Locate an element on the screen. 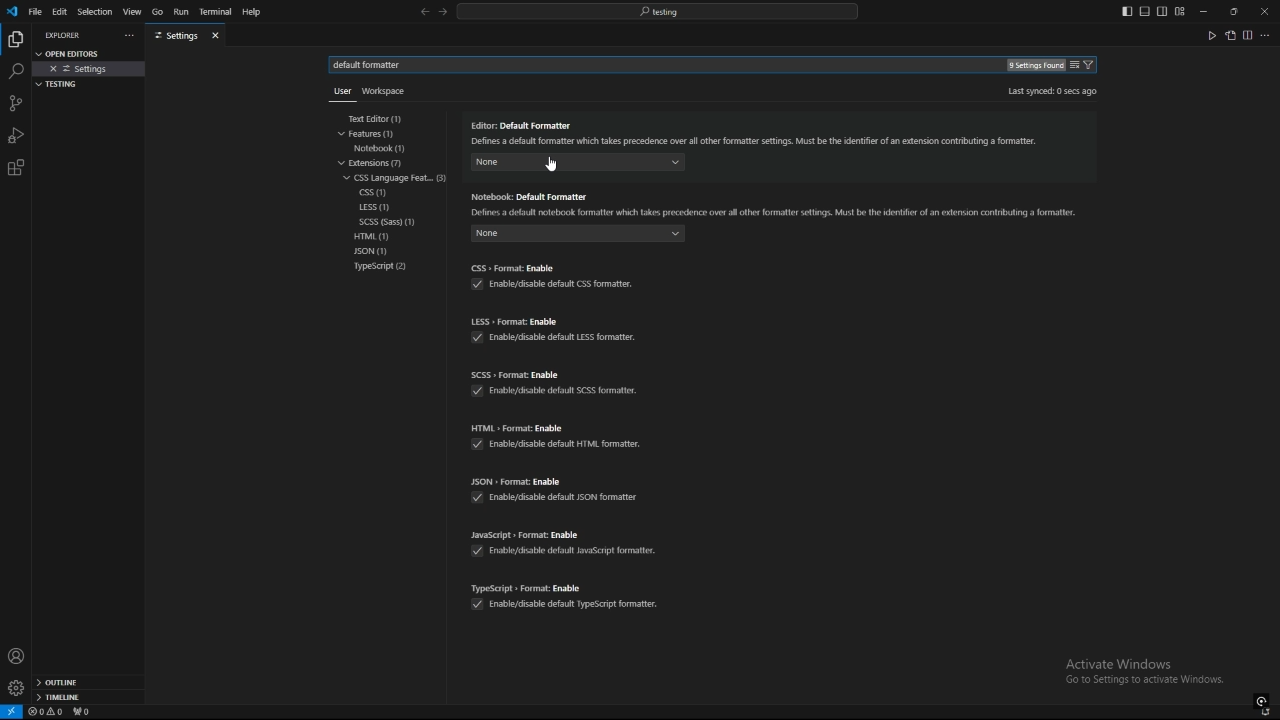 The height and width of the screenshot is (720, 1280). run is located at coordinates (180, 12).